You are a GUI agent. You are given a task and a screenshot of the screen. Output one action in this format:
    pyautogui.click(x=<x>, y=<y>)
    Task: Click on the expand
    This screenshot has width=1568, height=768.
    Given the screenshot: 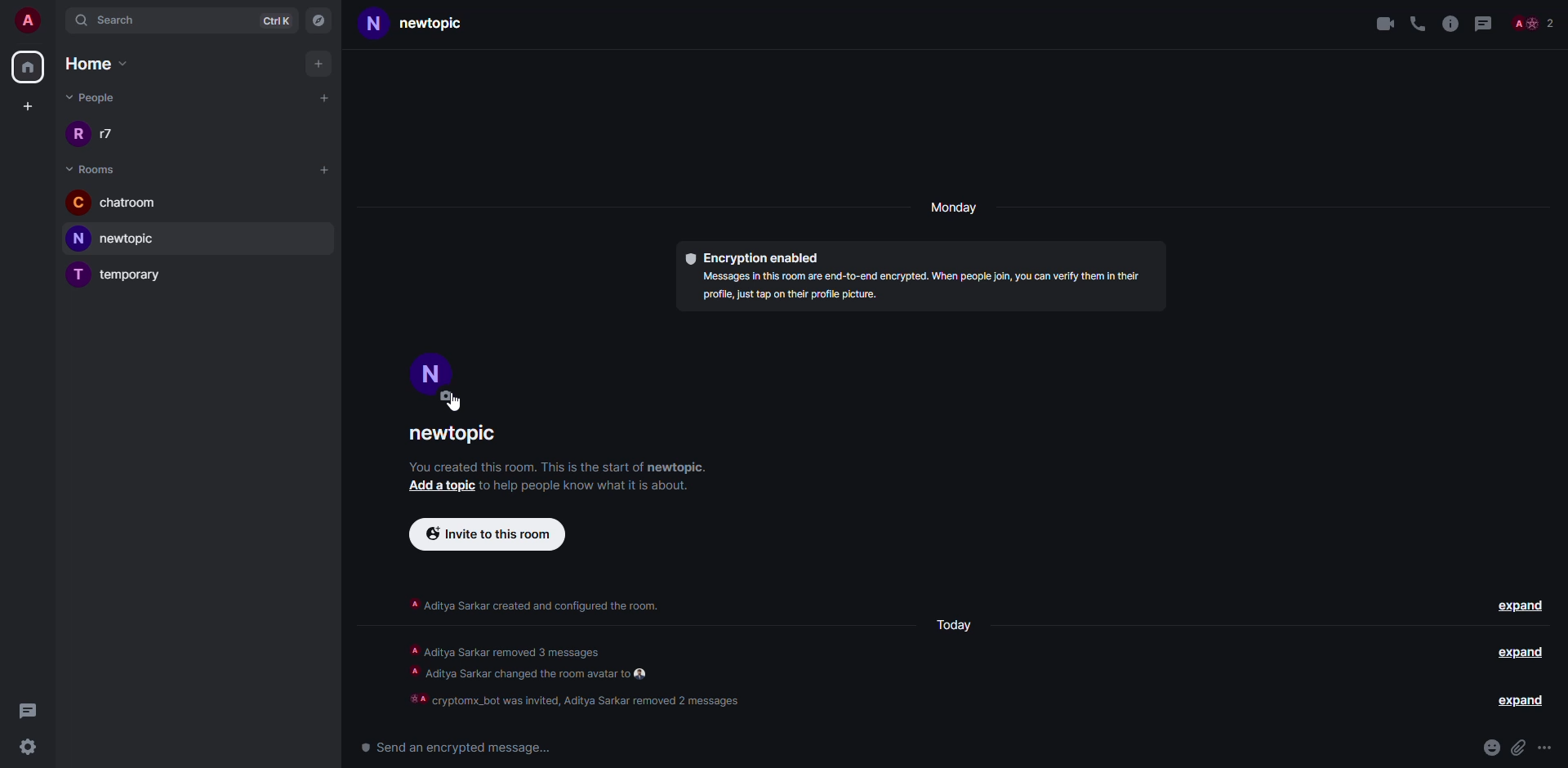 What is the action you would take?
    pyautogui.click(x=1521, y=605)
    